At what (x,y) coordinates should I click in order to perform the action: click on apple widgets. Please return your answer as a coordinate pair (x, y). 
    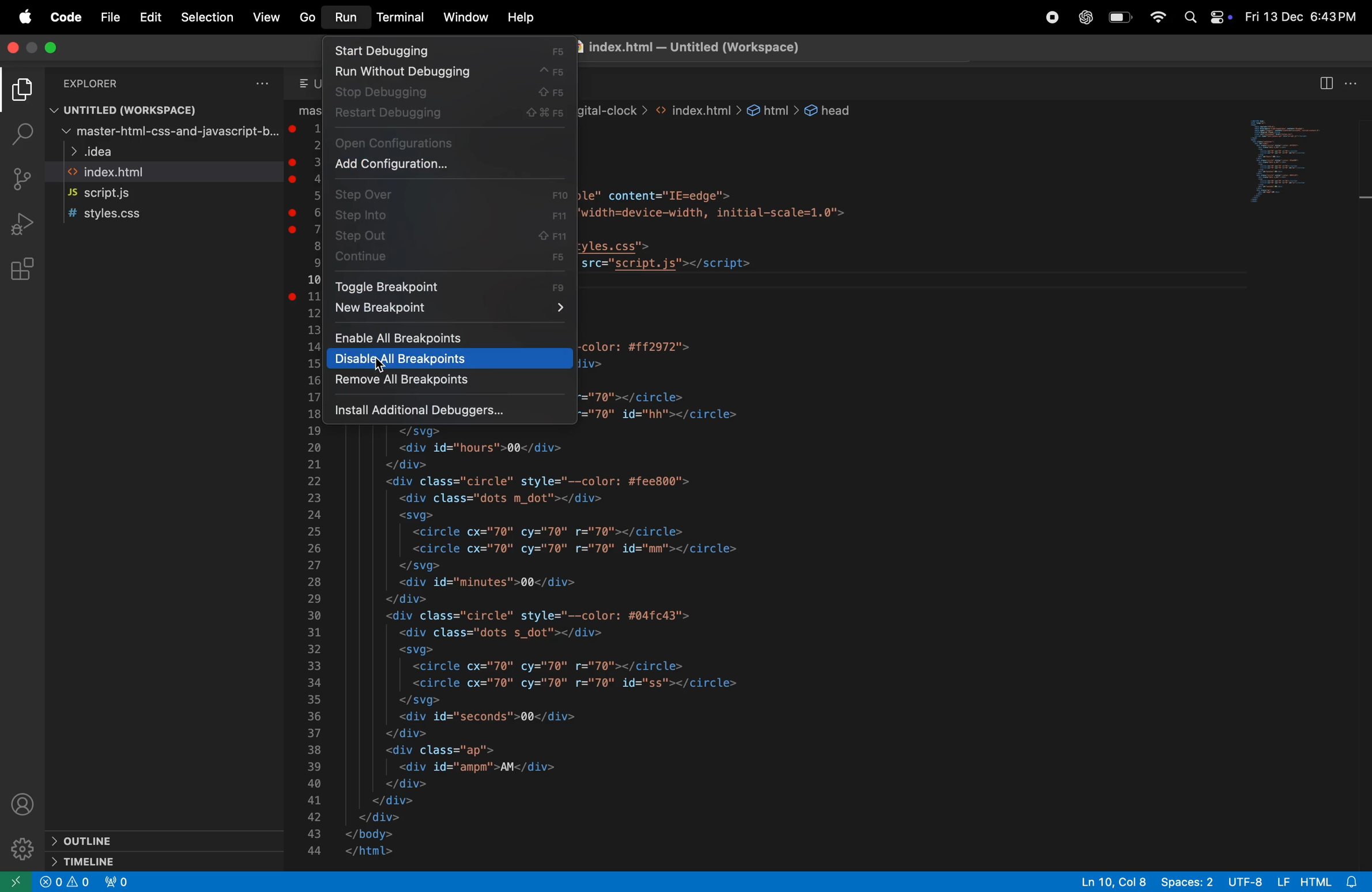
    Looking at the image, I should click on (1206, 18).